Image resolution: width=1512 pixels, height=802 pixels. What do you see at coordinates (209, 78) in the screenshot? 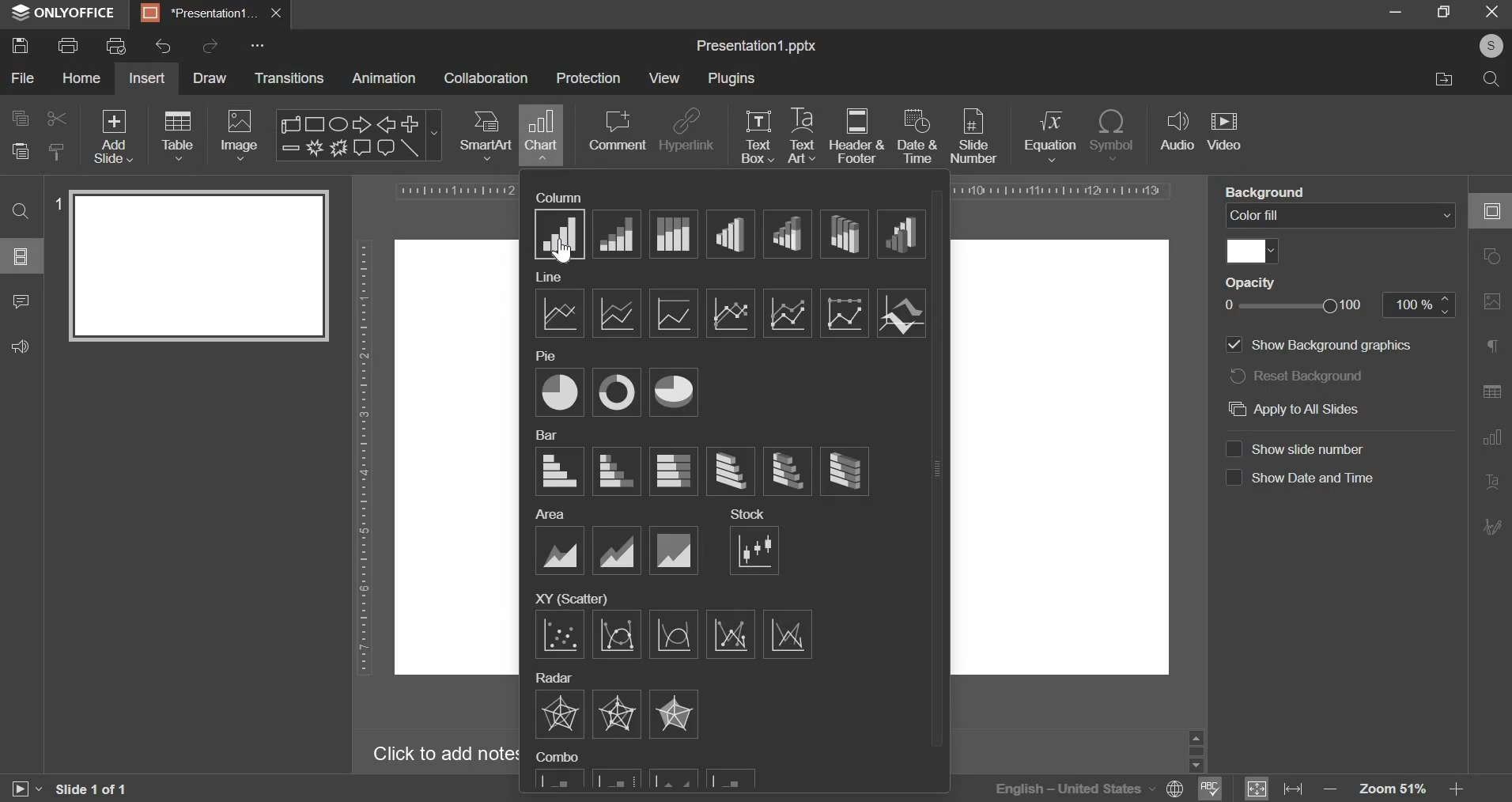
I see `draw` at bounding box center [209, 78].